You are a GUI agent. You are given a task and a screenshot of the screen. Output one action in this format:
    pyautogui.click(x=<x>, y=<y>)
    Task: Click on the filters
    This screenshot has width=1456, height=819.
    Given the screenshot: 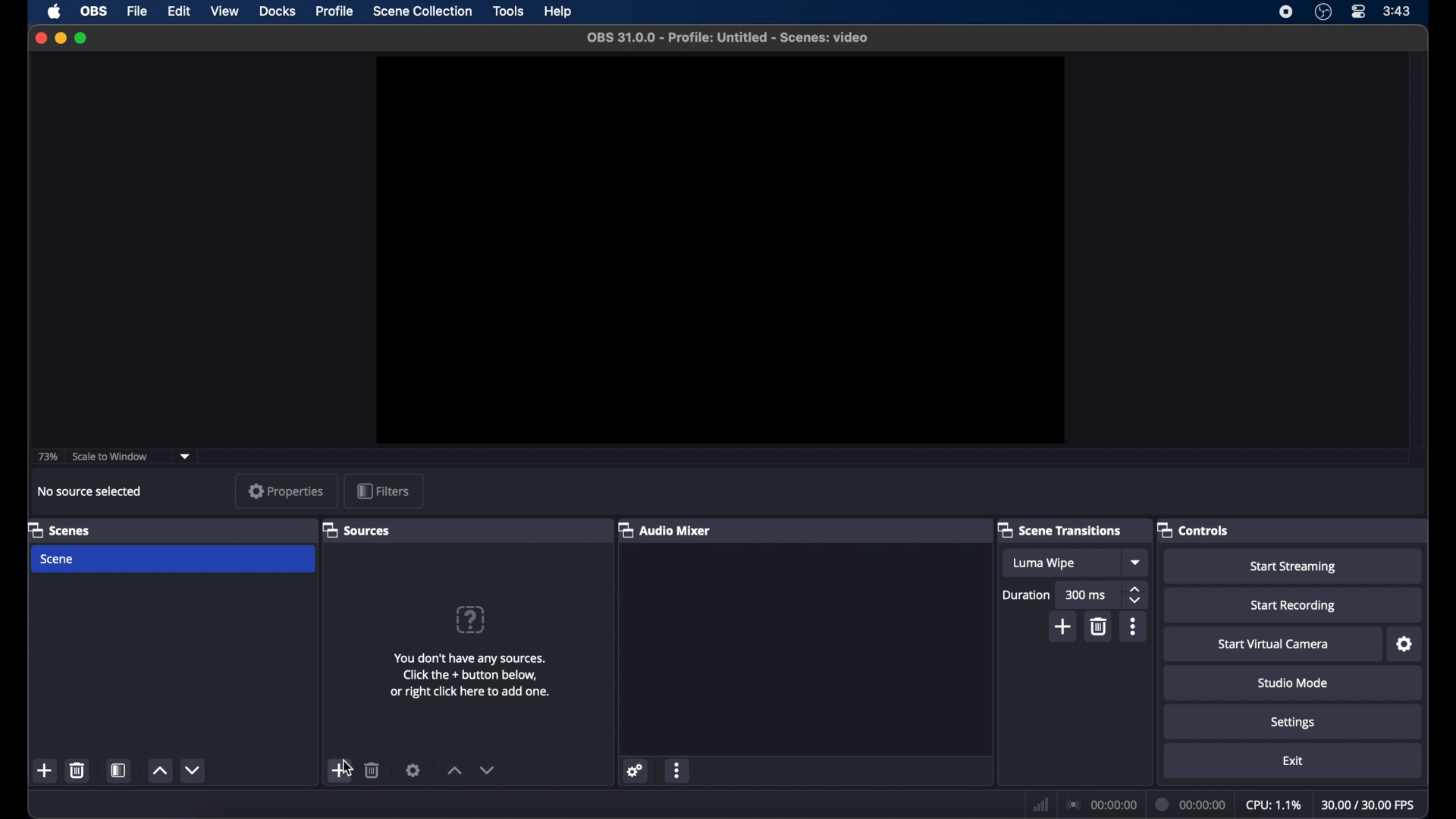 What is the action you would take?
    pyautogui.click(x=383, y=491)
    